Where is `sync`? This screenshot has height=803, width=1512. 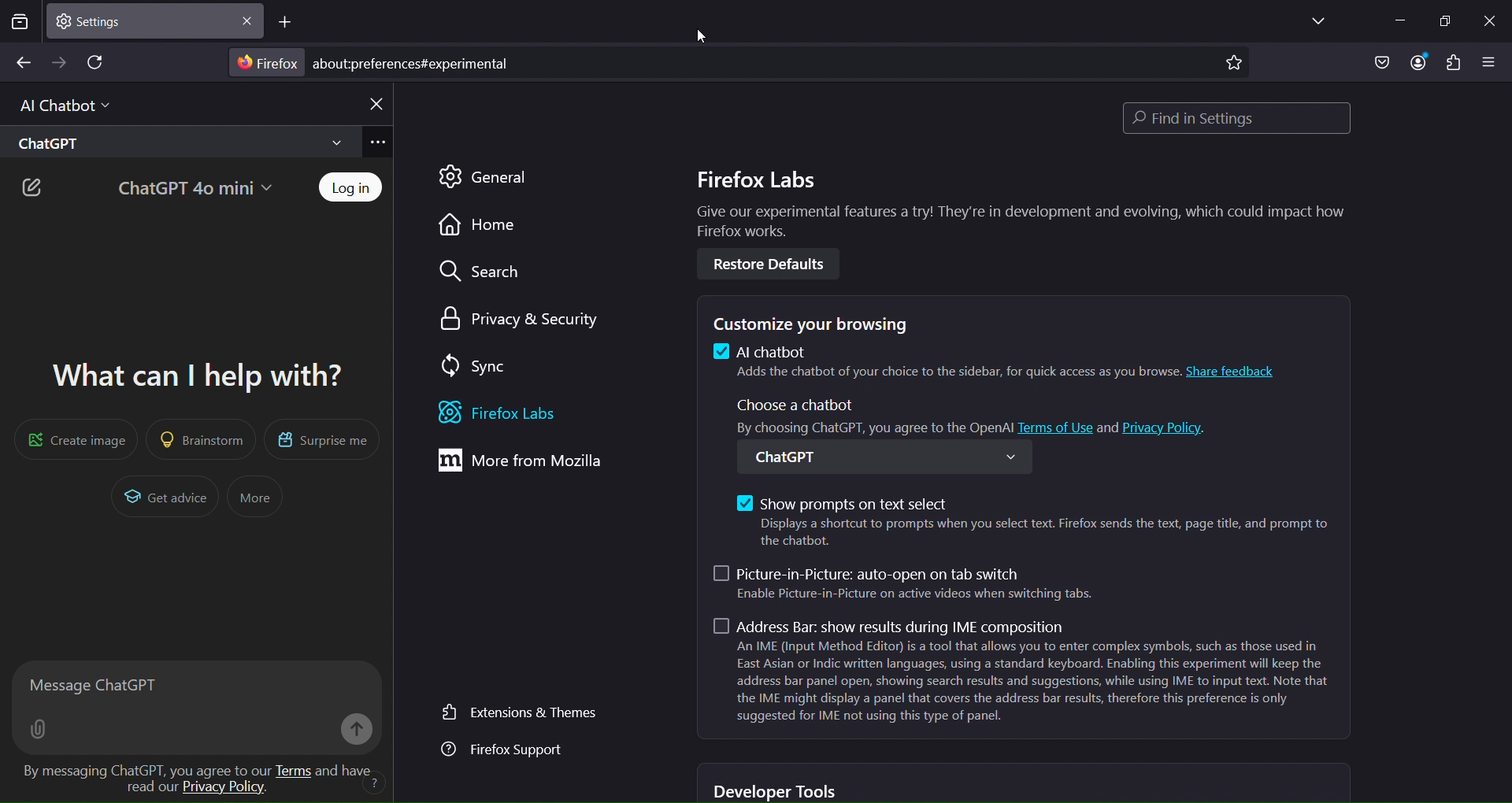 sync is located at coordinates (471, 364).